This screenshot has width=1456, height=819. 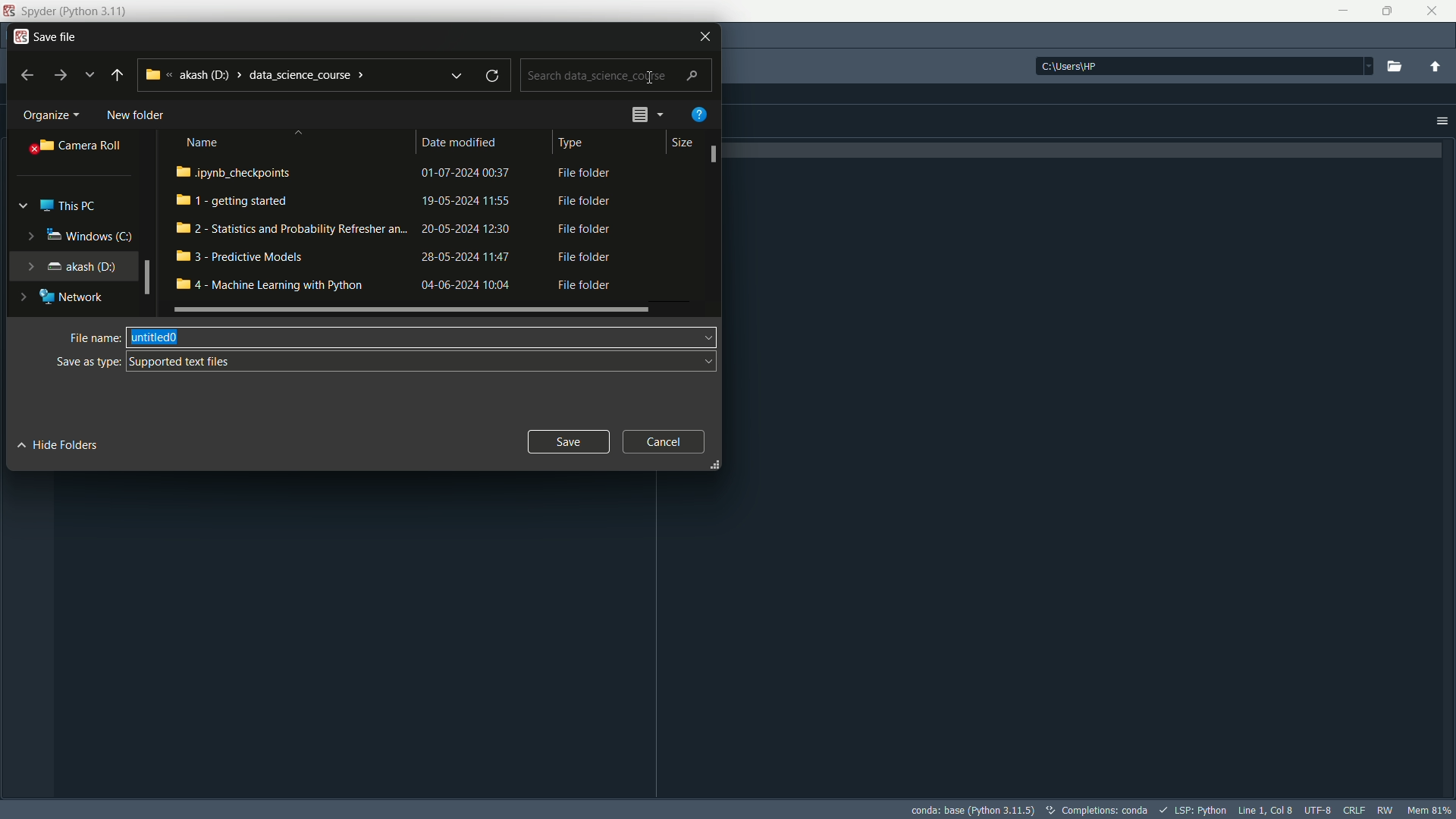 What do you see at coordinates (714, 152) in the screenshot?
I see `scroll bar` at bounding box center [714, 152].